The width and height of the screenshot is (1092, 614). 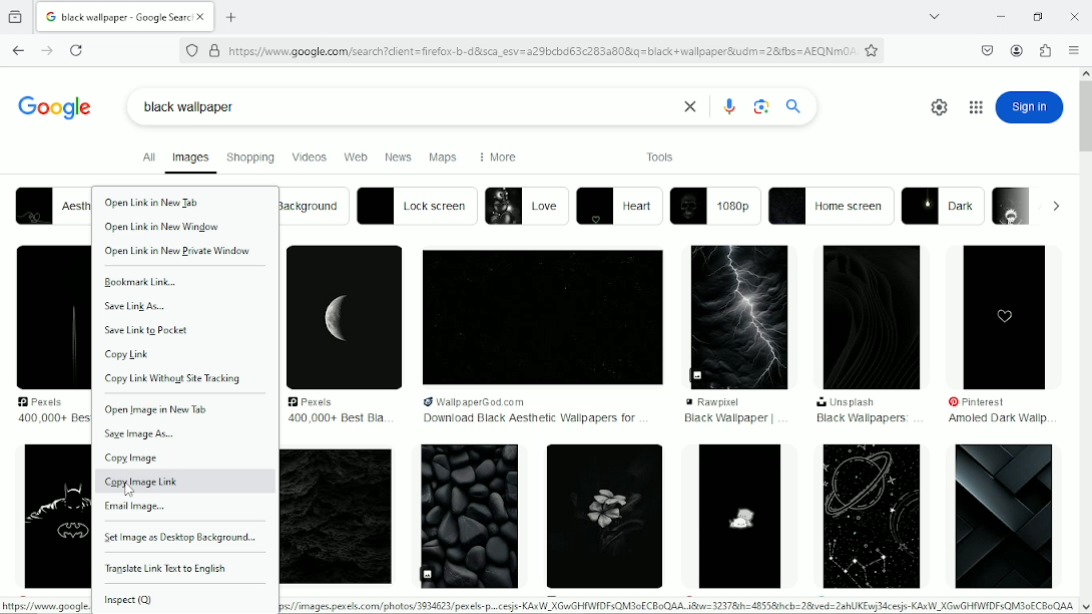 What do you see at coordinates (1006, 315) in the screenshot?
I see `black image` at bounding box center [1006, 315].